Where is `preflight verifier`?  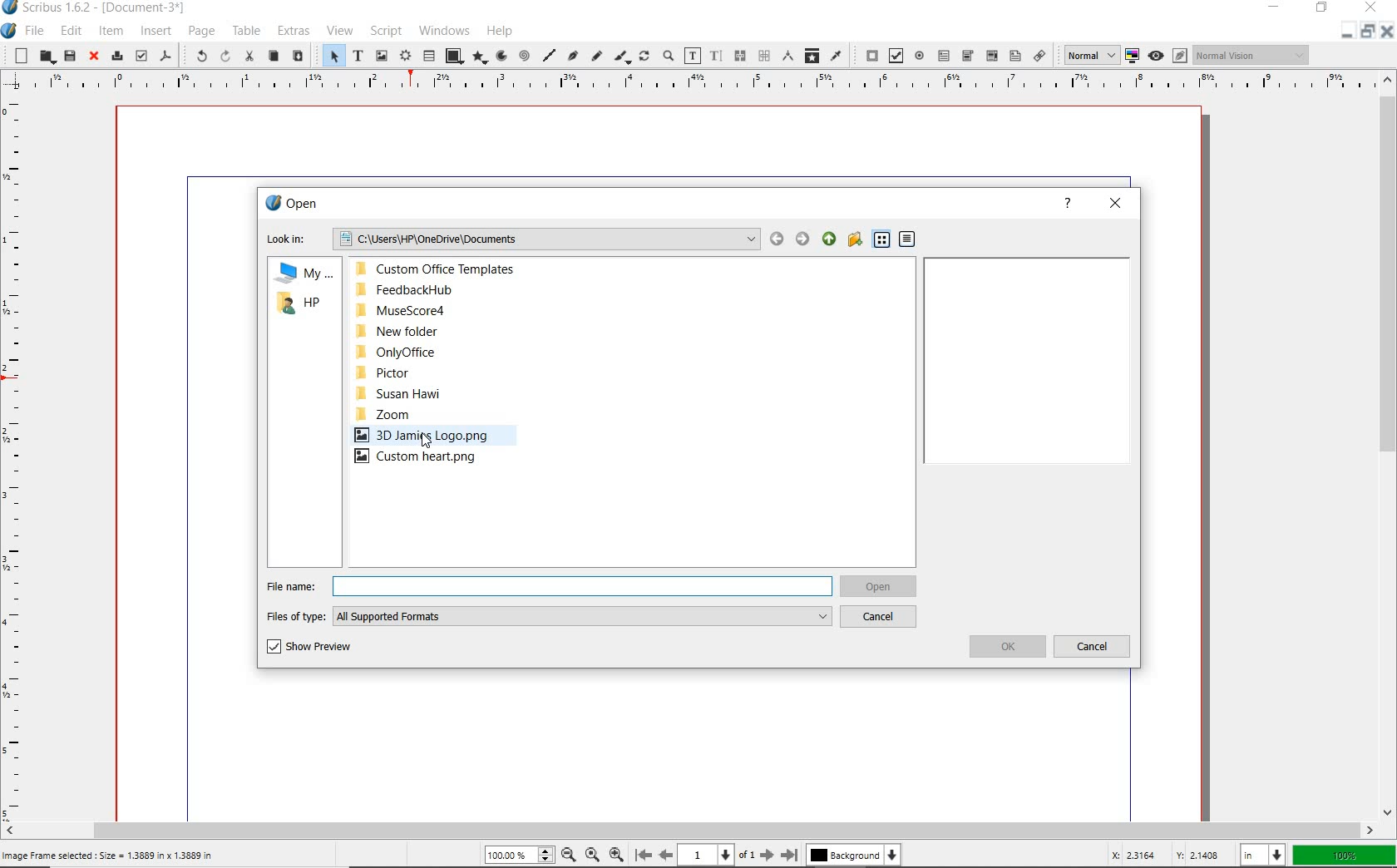 preflight verifier is located at coordinates (140, 55).